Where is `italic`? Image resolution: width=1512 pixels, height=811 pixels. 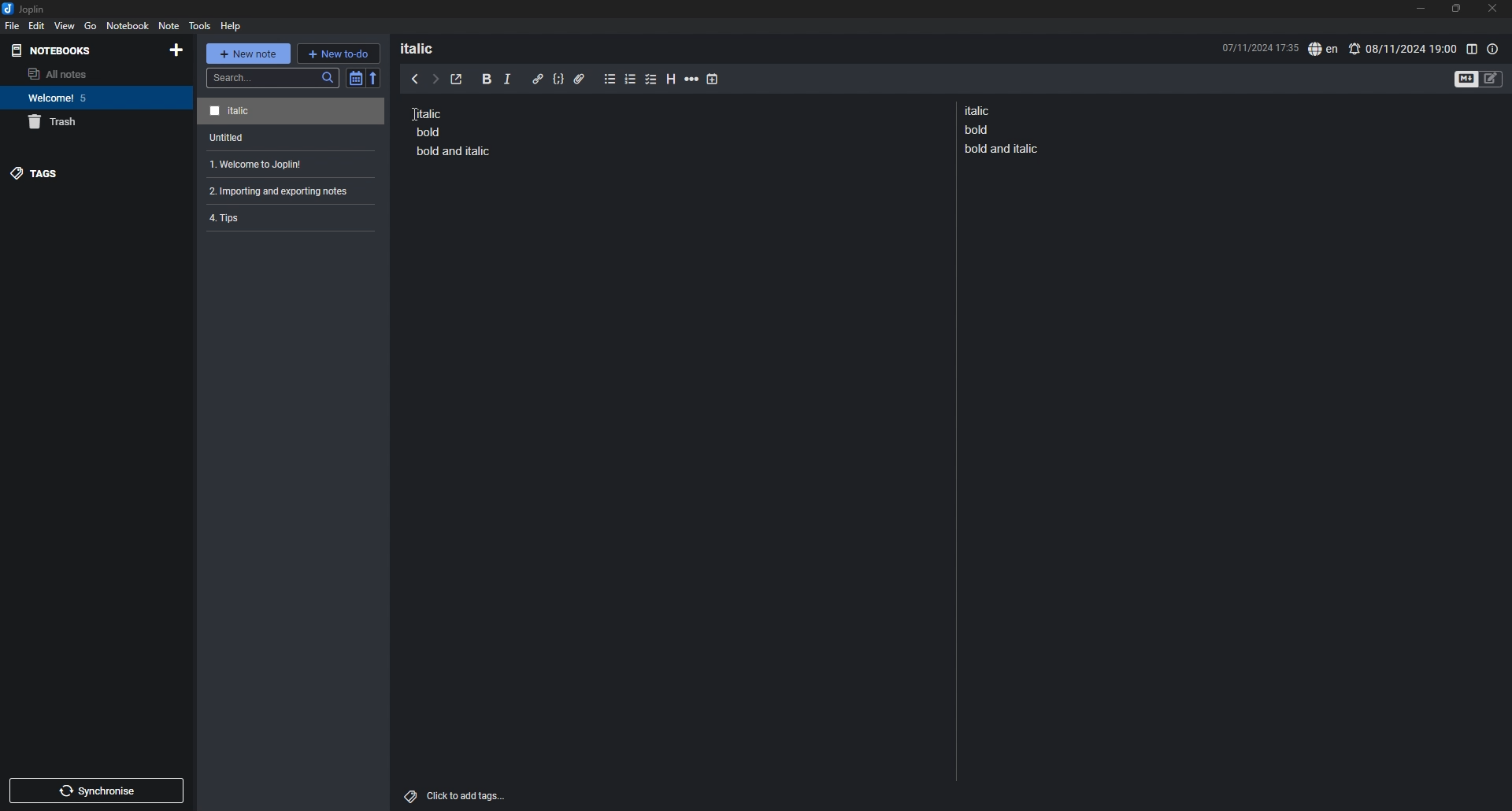 italic is located at coordinates (507, 82).